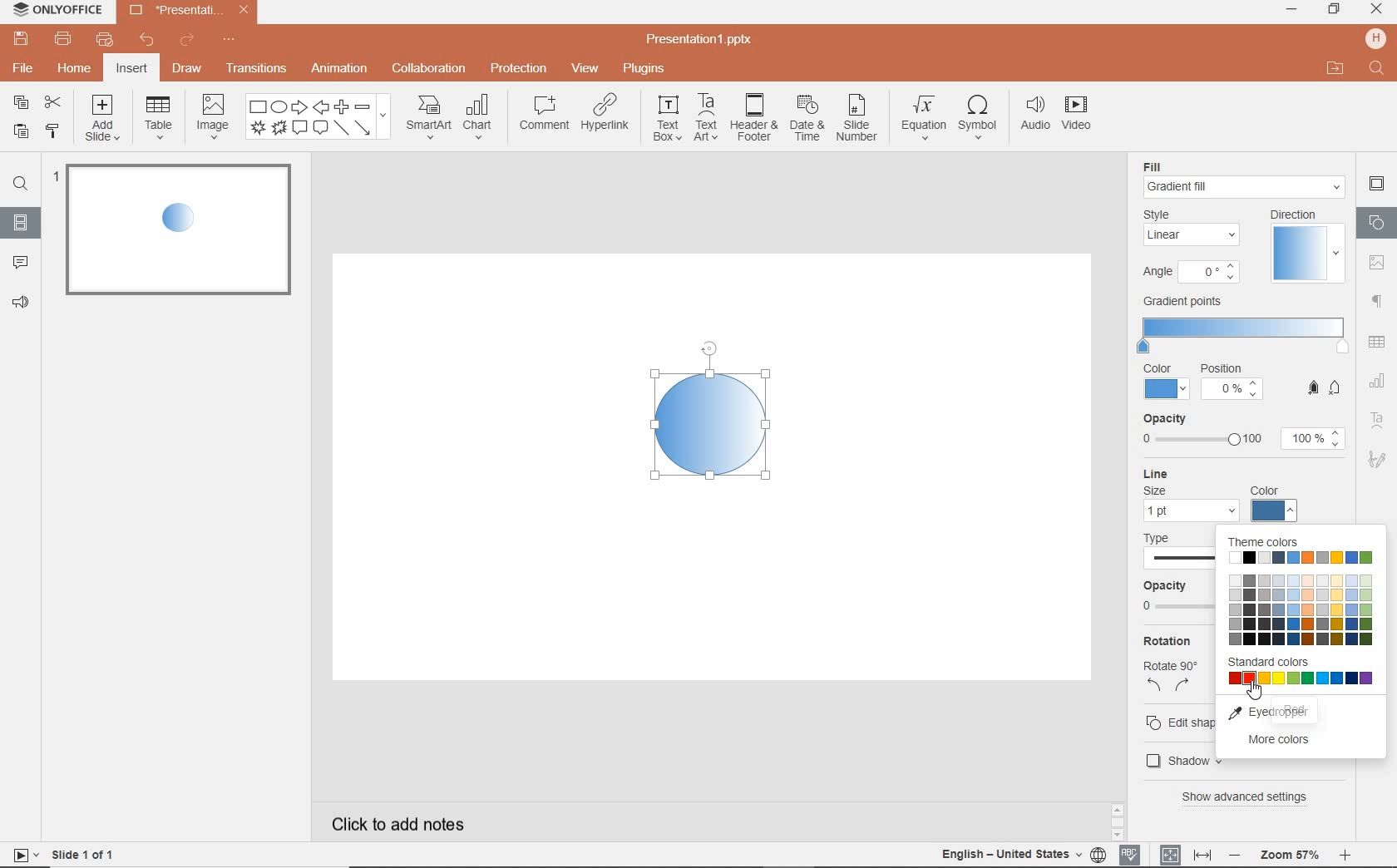 Image resolution: width=1397 pixels, height=868 pixels. I want to click on header & footer, so click(754, 120).